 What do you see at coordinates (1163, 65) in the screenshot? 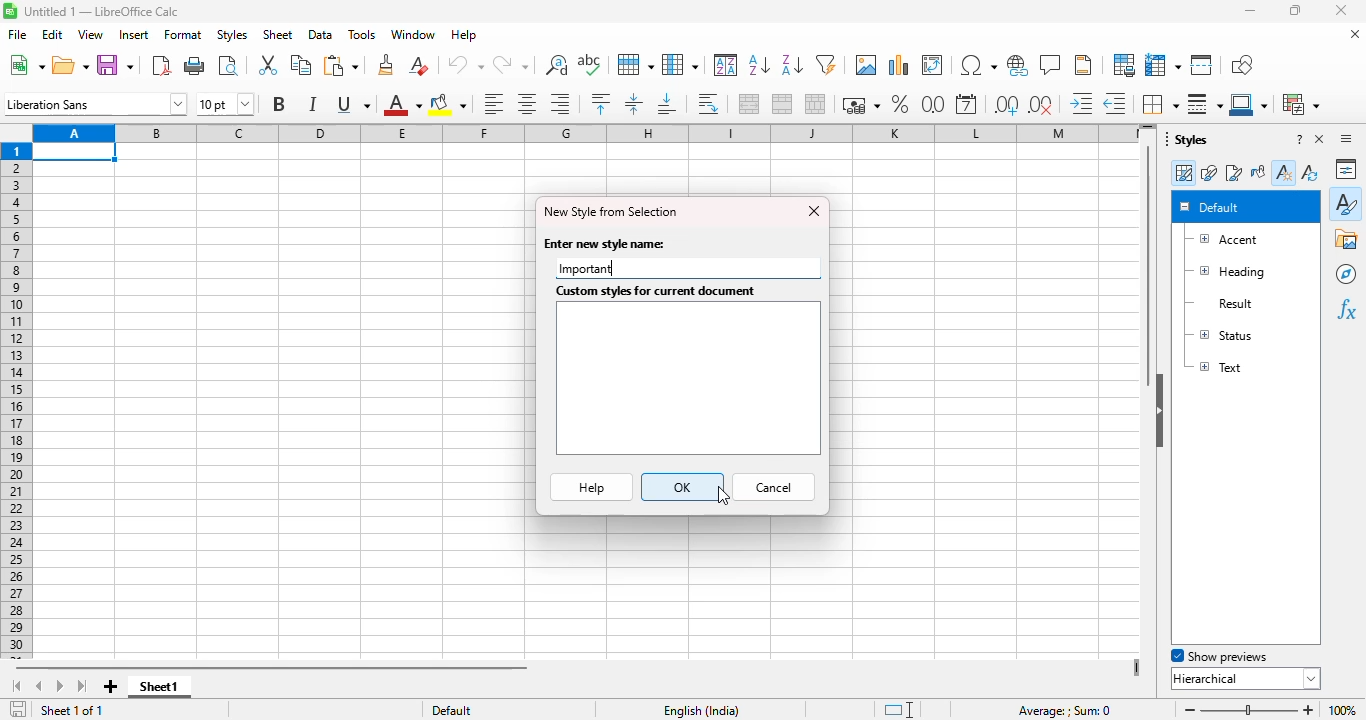
I see `freeze rows and columns` at bounding box center [1163, 65].